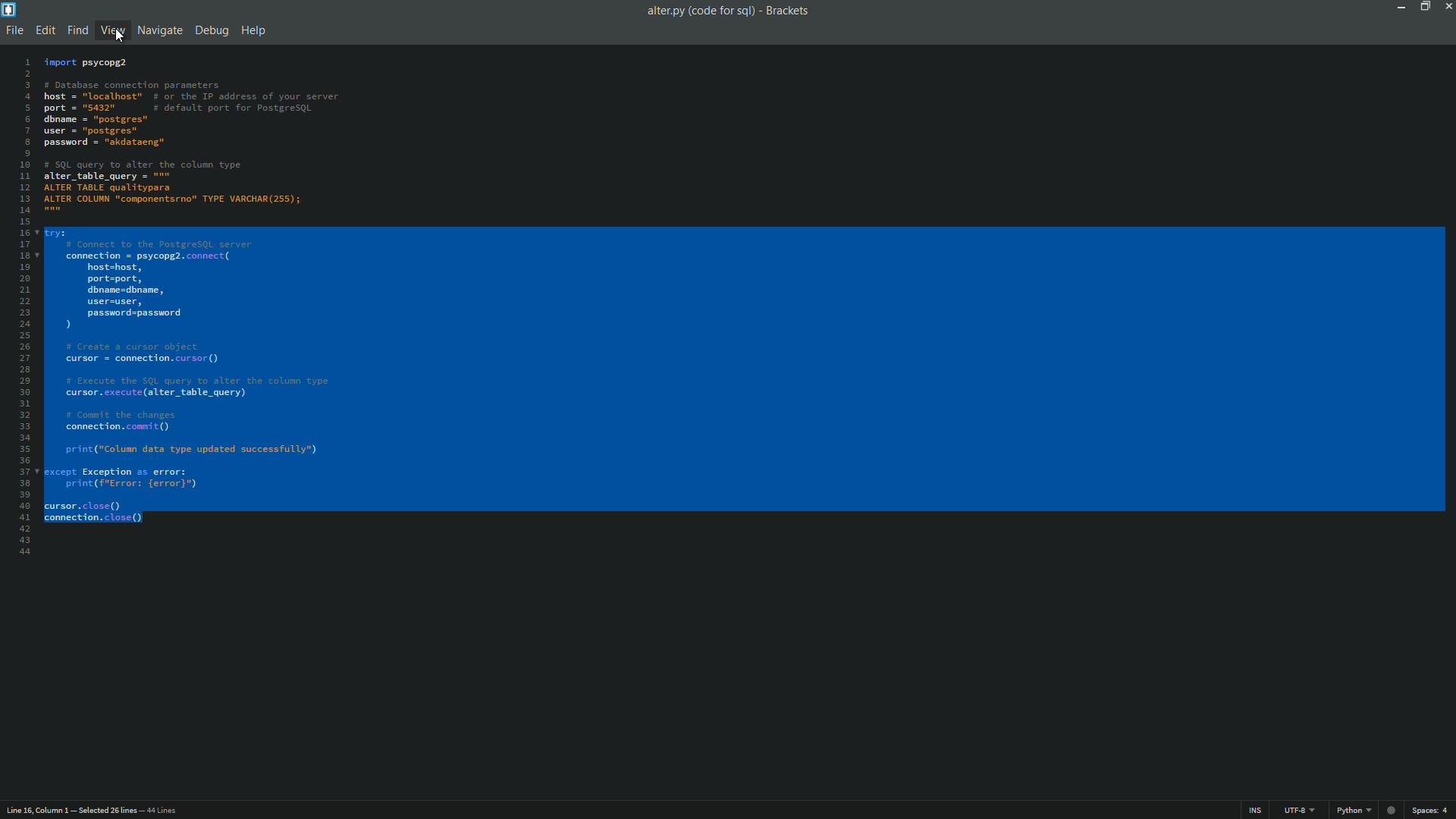 This screenshot has width=1456, height=819. What do you see at coordinates (158, 32) in the screenshot?
I see `navigate menu` at bounding box center [158, 32].